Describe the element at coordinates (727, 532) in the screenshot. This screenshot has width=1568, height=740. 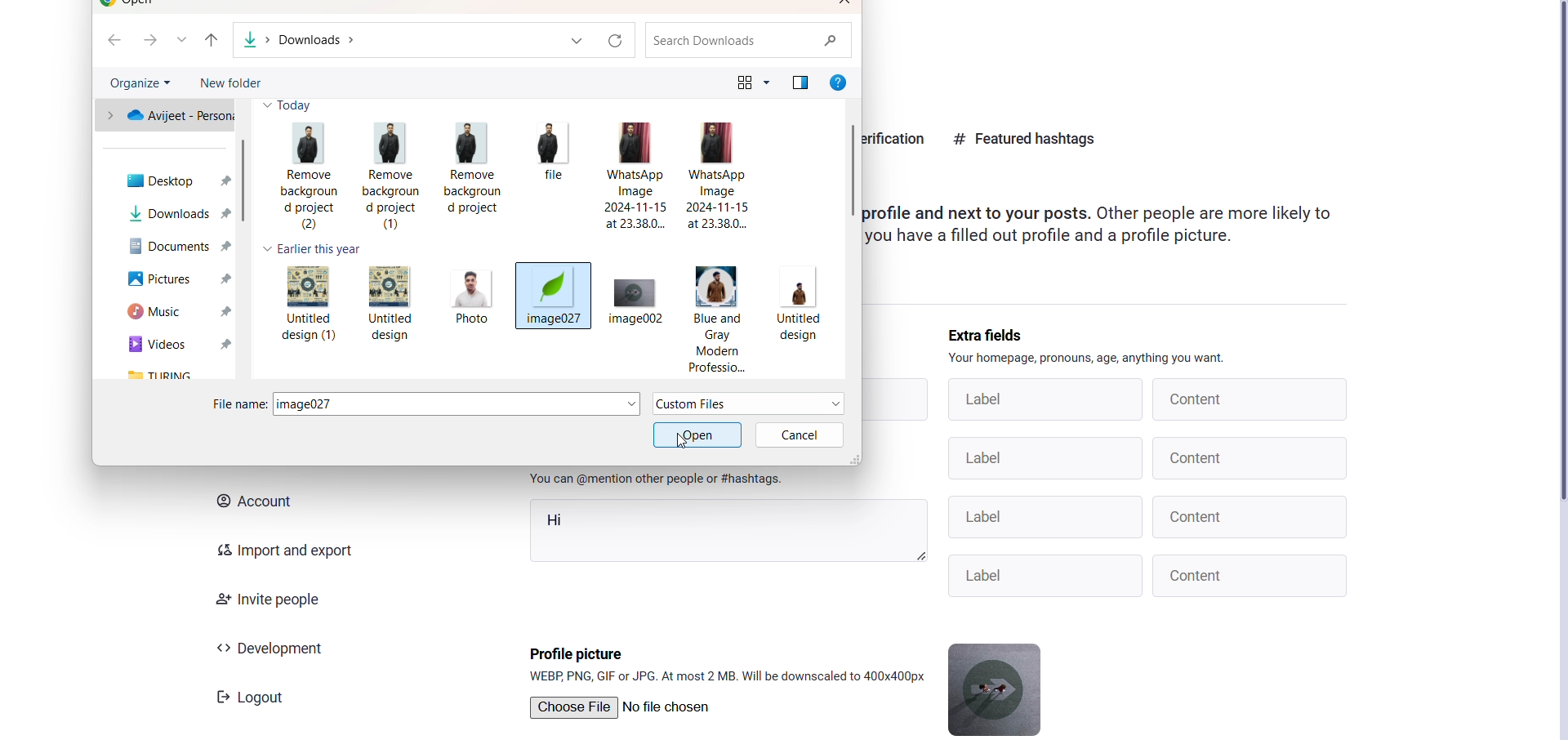
I see `hi` at that location.